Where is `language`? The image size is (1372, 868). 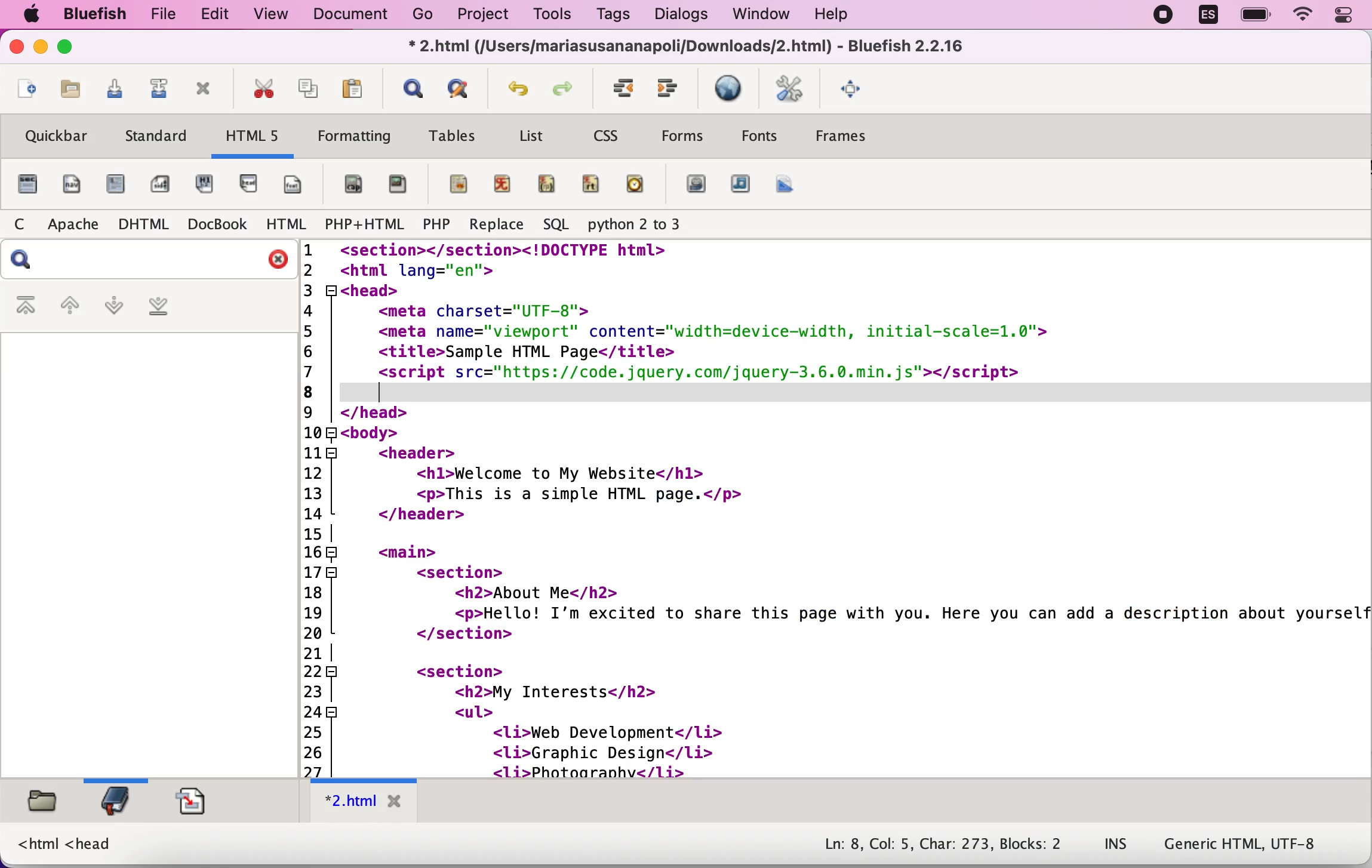 language is located at coordinates (1210, 14).